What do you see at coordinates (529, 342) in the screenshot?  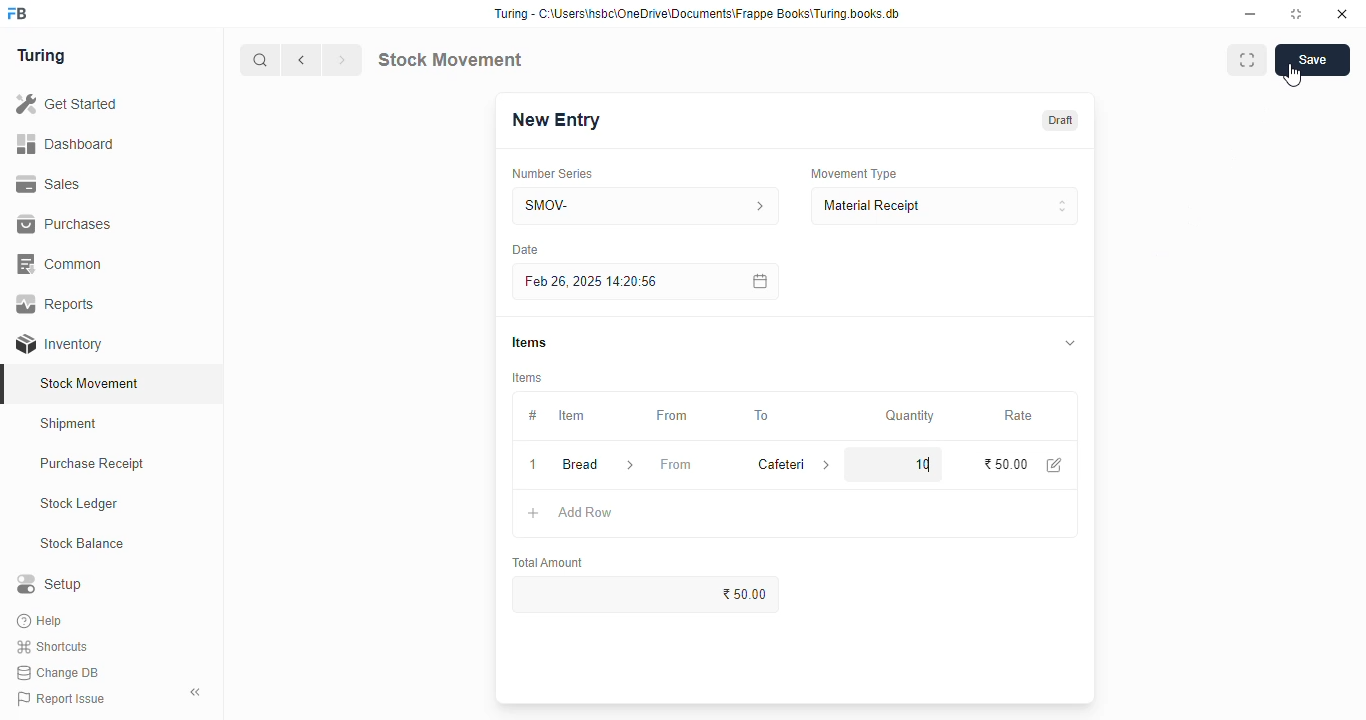 I see `items` at bounding box center [529, 342].